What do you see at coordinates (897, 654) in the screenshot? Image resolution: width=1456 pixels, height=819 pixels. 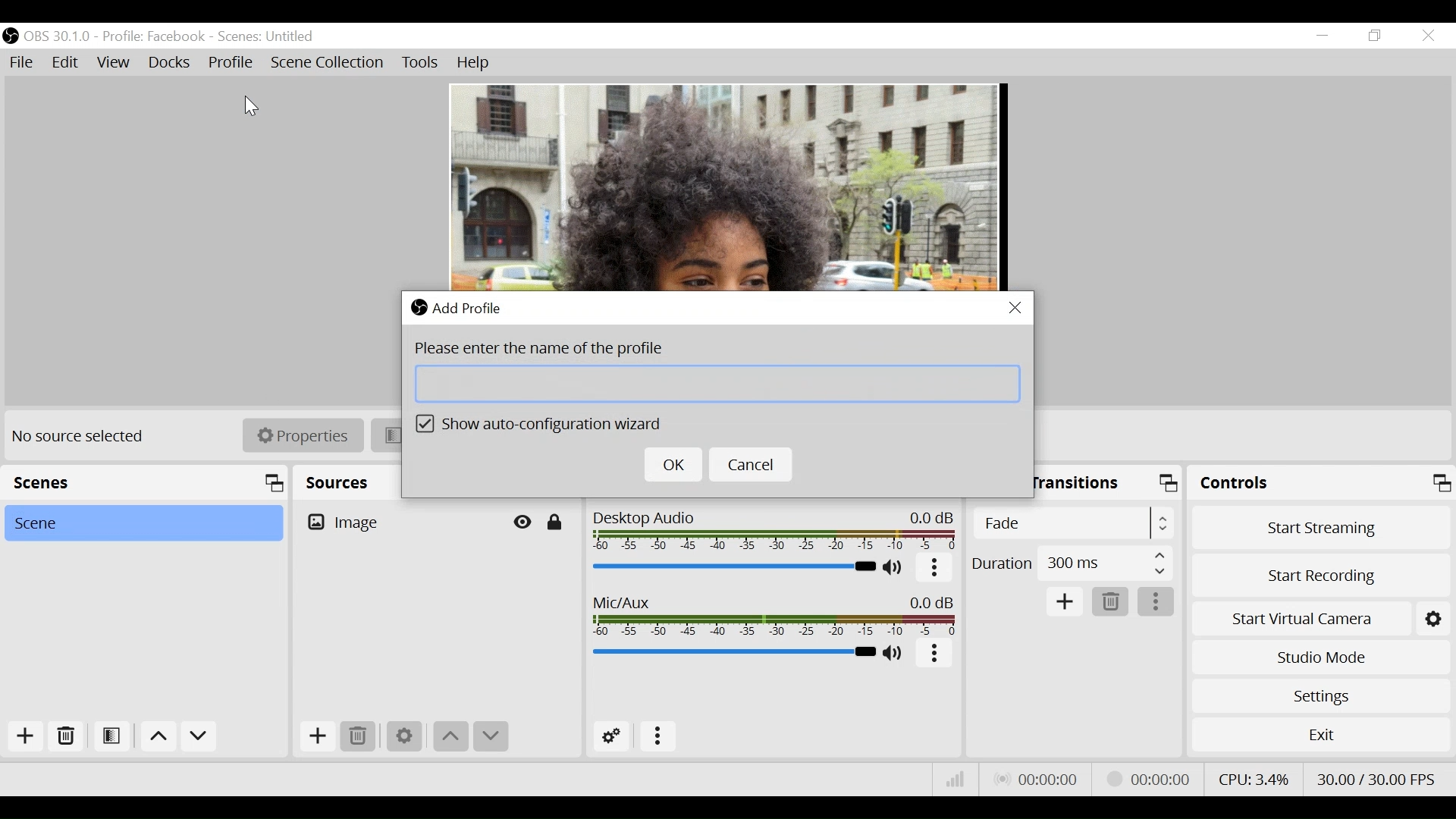 I see `(un)mute` at bounding box center [897, 654].